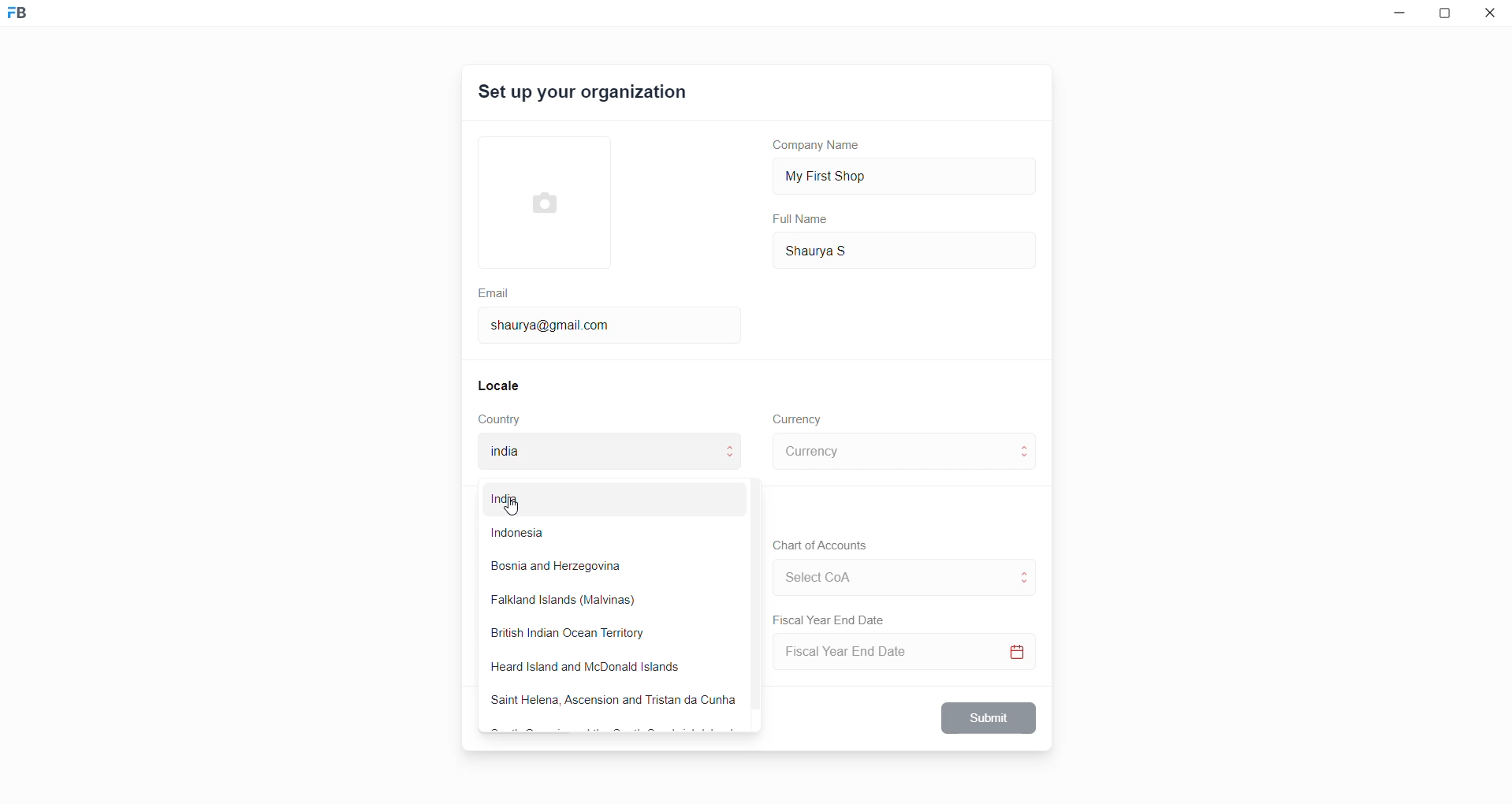  What do you see at coordinates (496, 291) in the screenshot?
I see `Email` at bounding box center [496, 291].